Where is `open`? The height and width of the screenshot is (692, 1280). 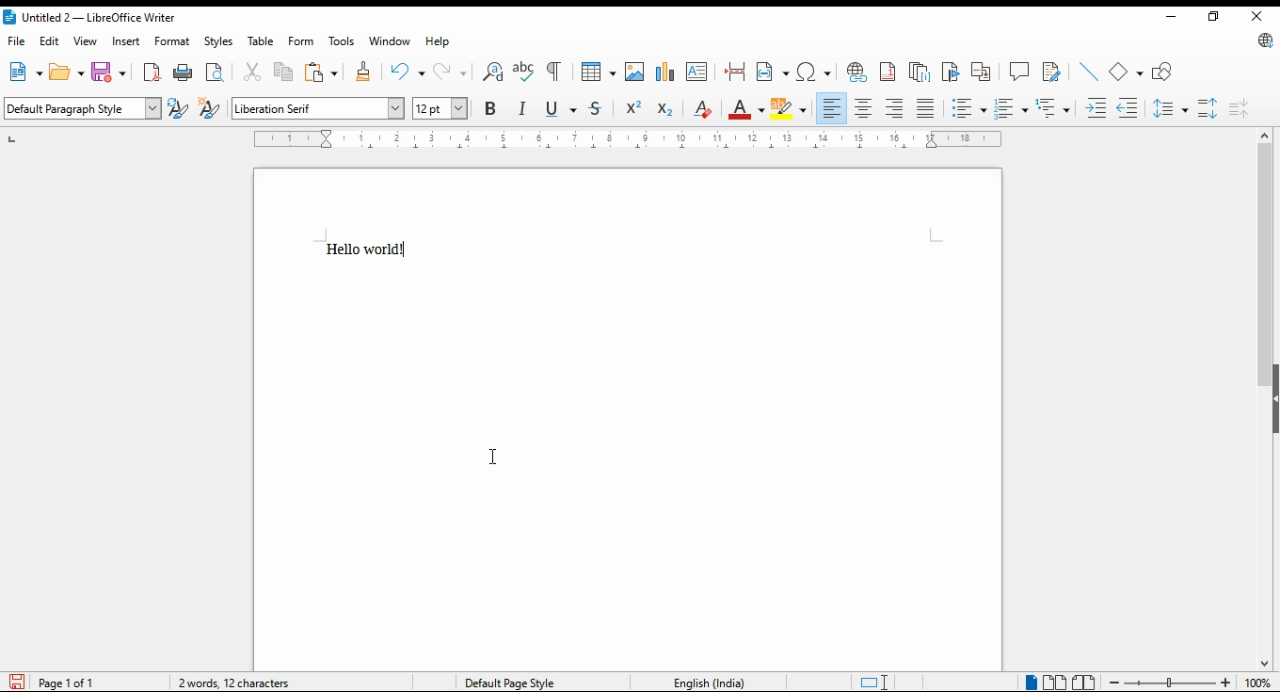
open is located at coordinates (65, 72).